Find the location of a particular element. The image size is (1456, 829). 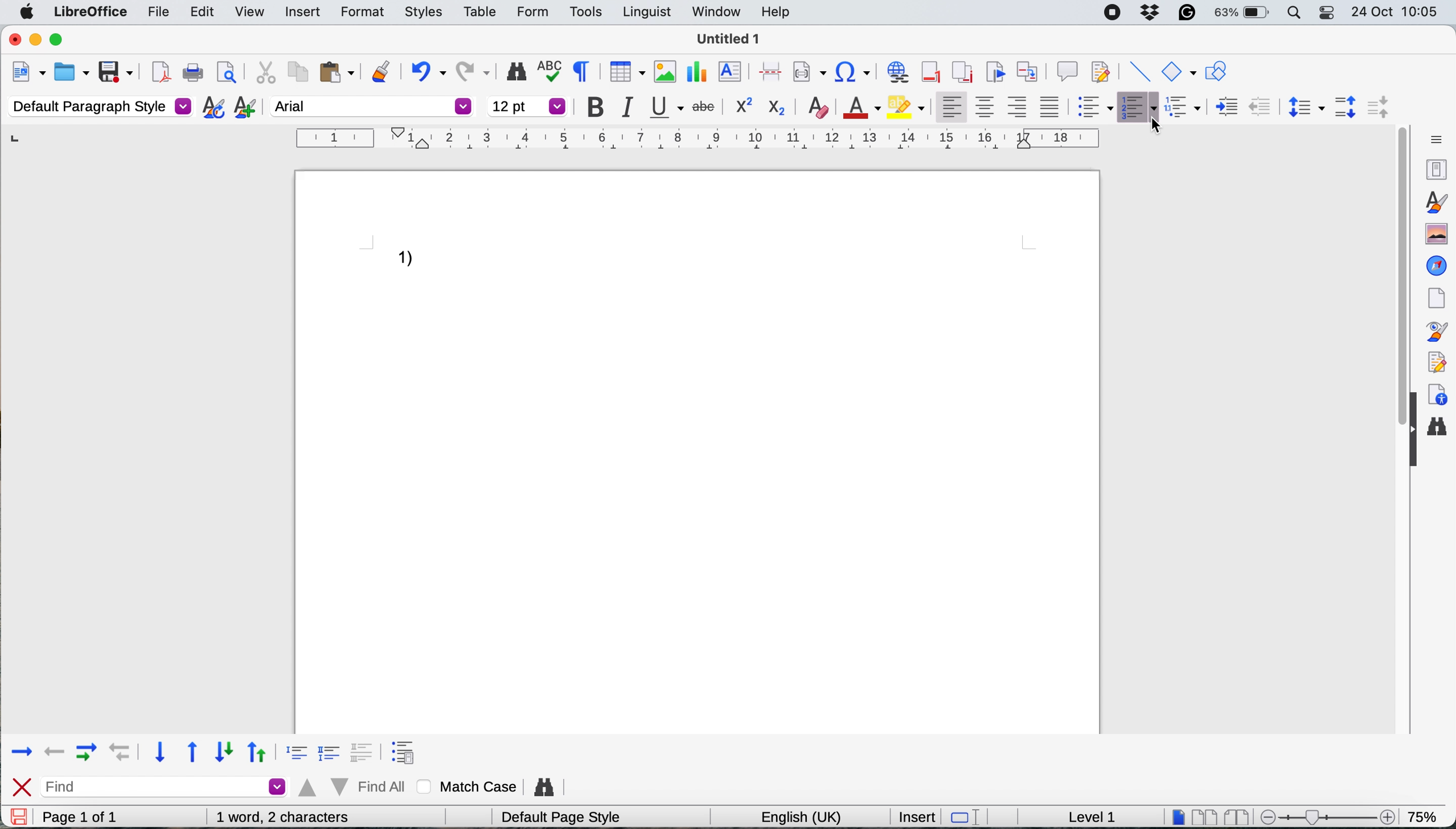

page is located at coordinates (1434, 296).